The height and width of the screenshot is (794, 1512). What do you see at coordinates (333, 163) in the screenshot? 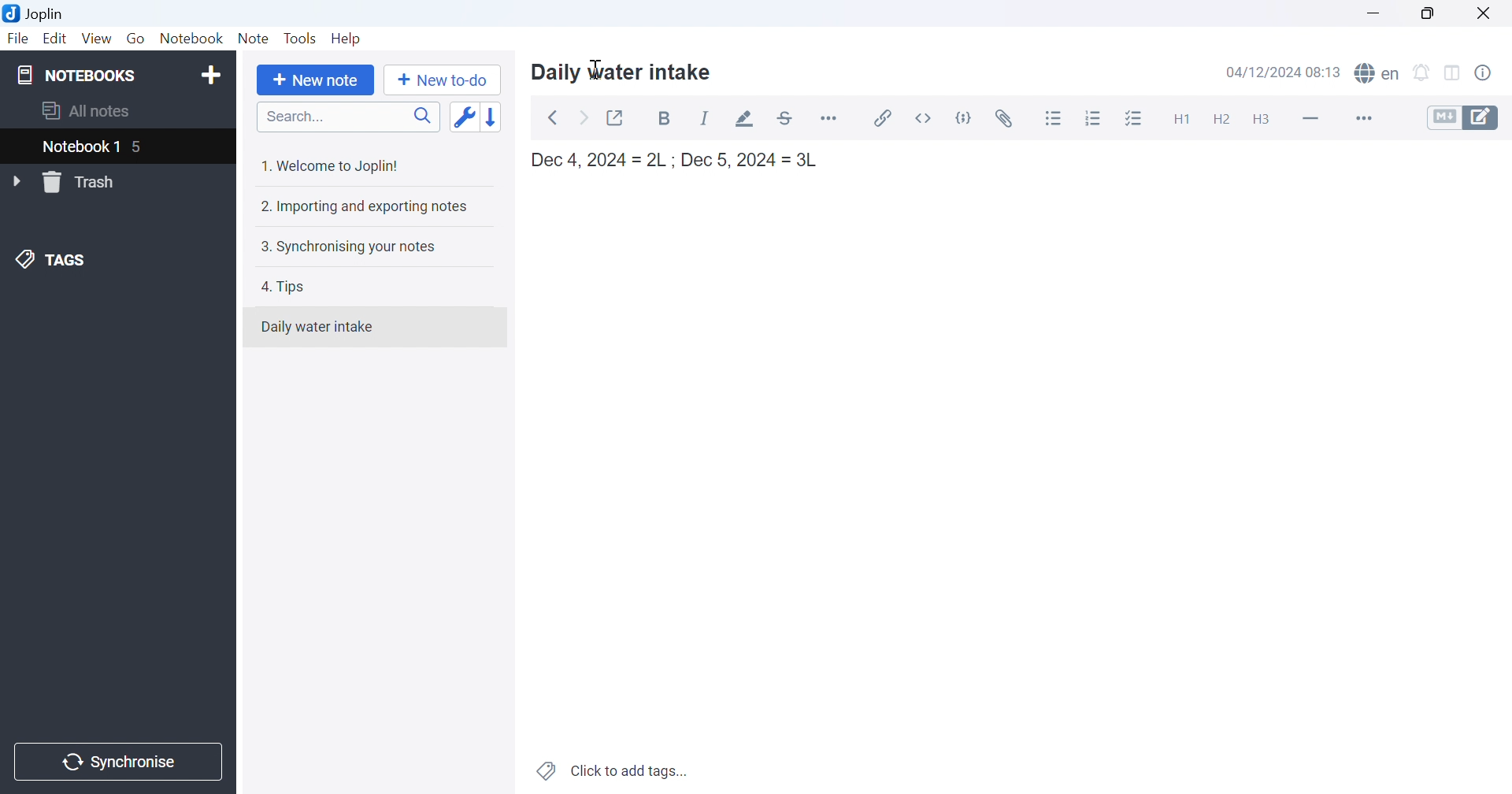
I see `1. Welcome to Joplin!` at bounding box center [333, 163].